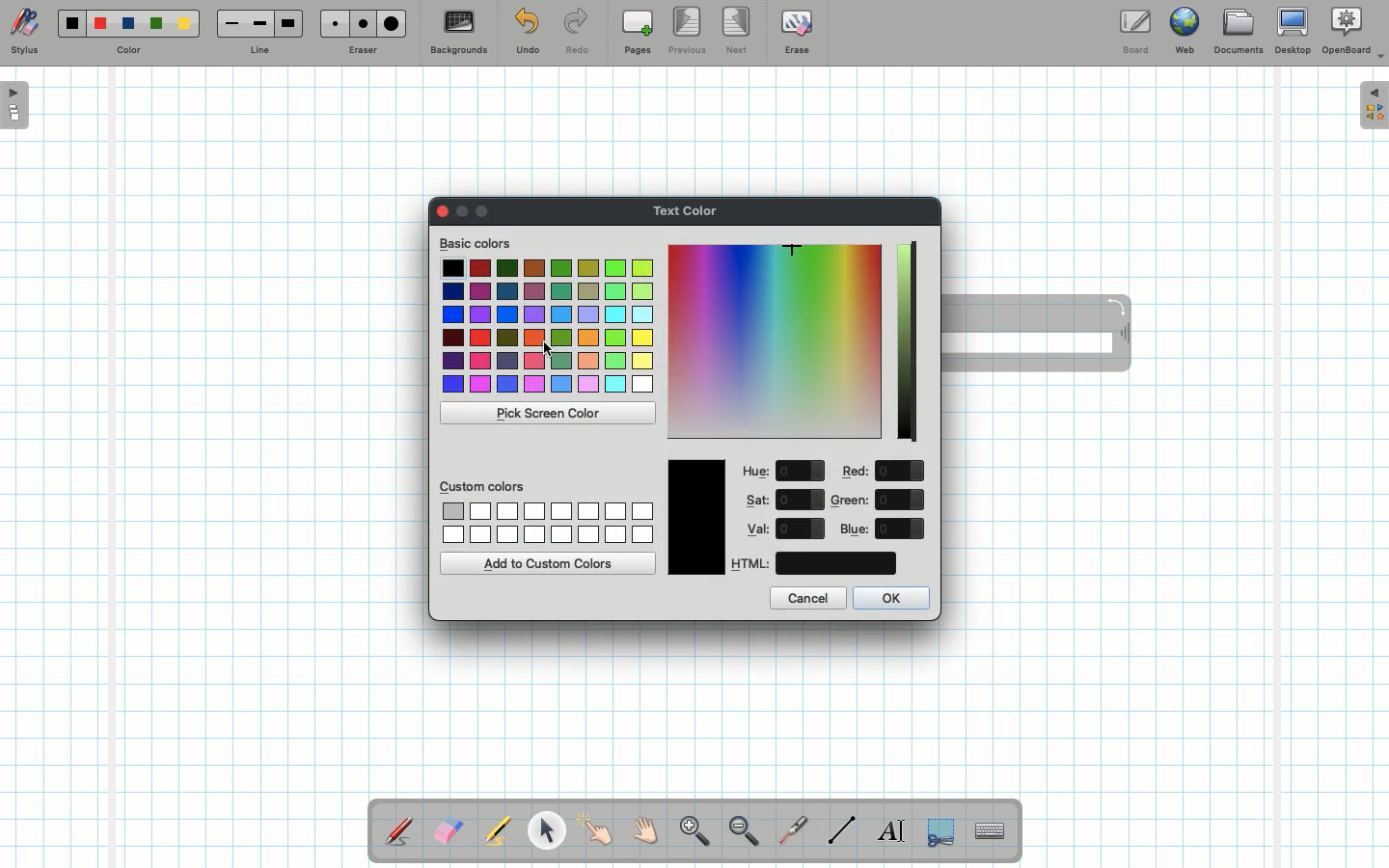  What do you see at coordinates (689, 32) in the screenshot?
I see `Previous` at bounding box center [689, 32].